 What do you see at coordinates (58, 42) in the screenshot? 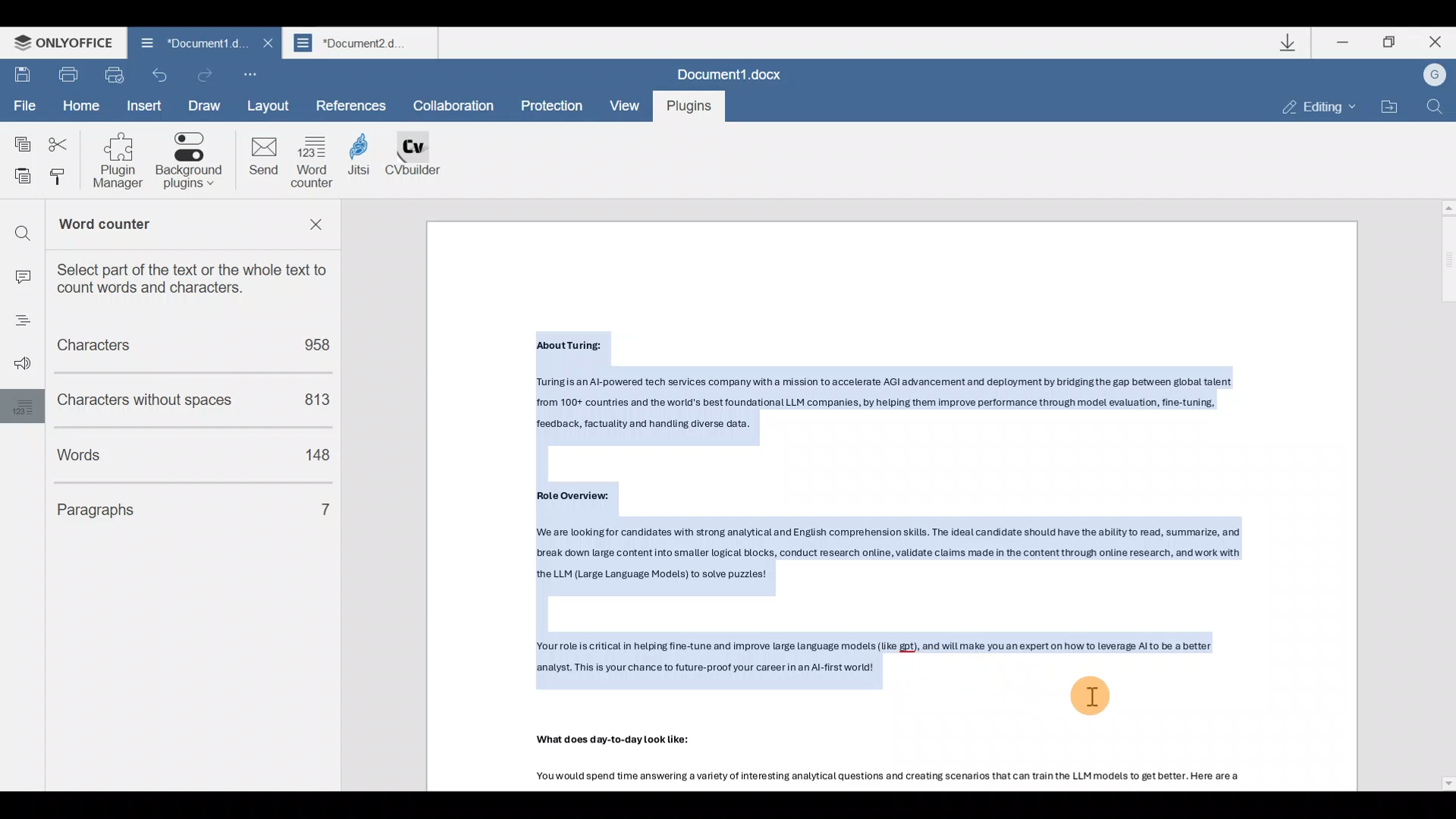
I see `ONLYOFFICE` at bounding box center [58, 42].